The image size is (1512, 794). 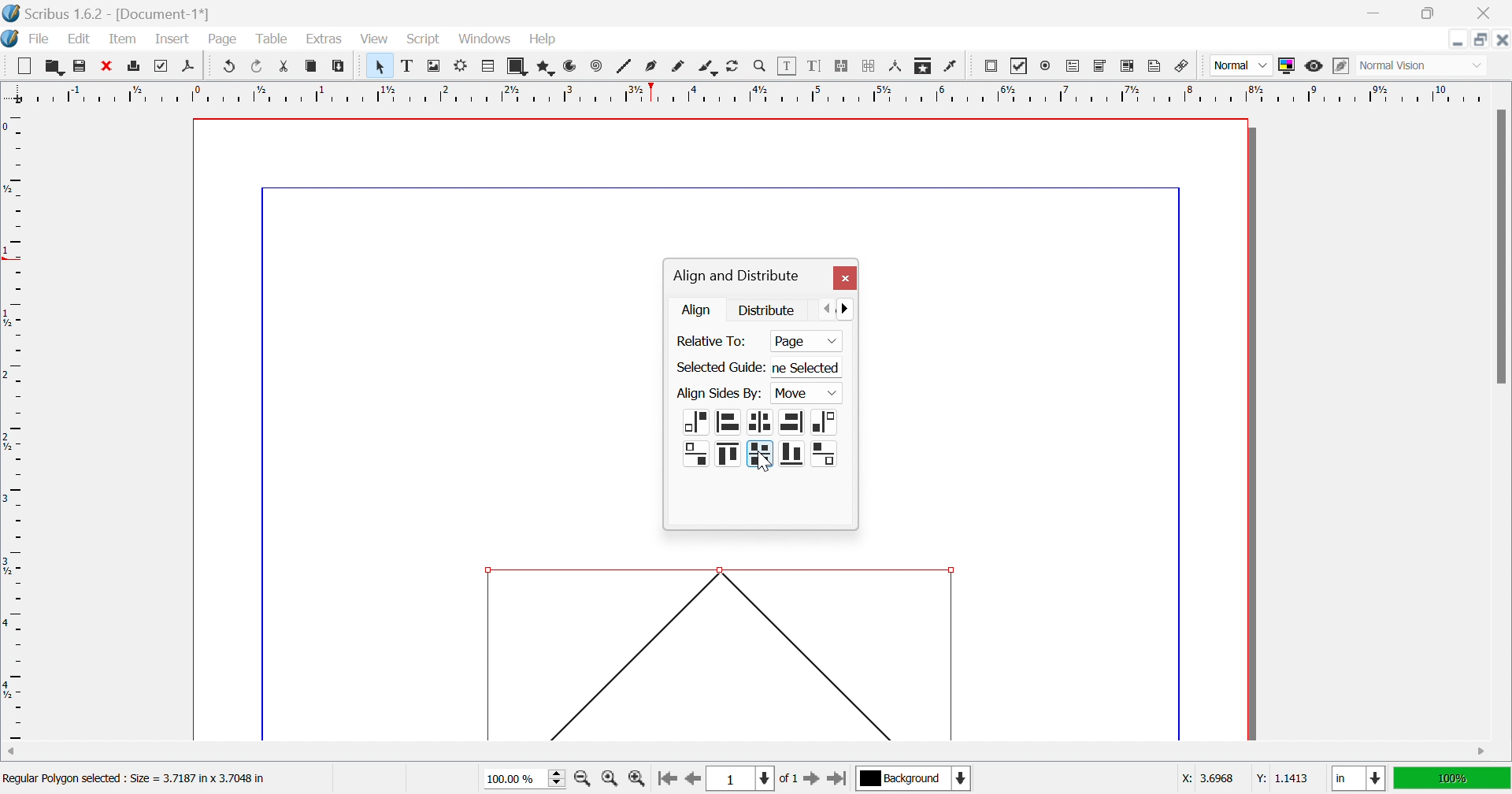 I want to click on Save as PDF, so click(x=192, y=67).